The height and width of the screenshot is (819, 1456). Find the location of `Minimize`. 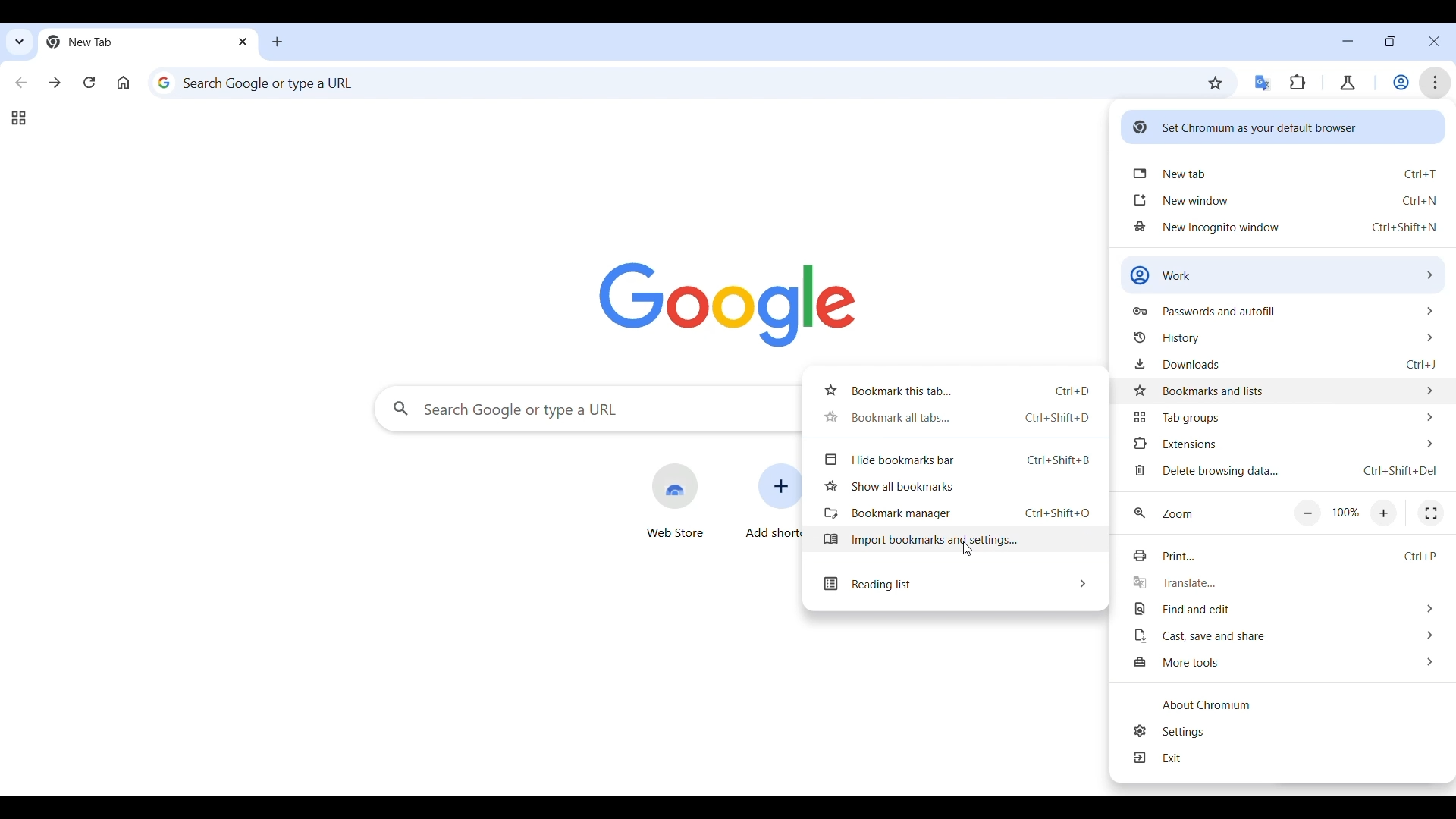

Minimize is located at coordinates (1348, 41).